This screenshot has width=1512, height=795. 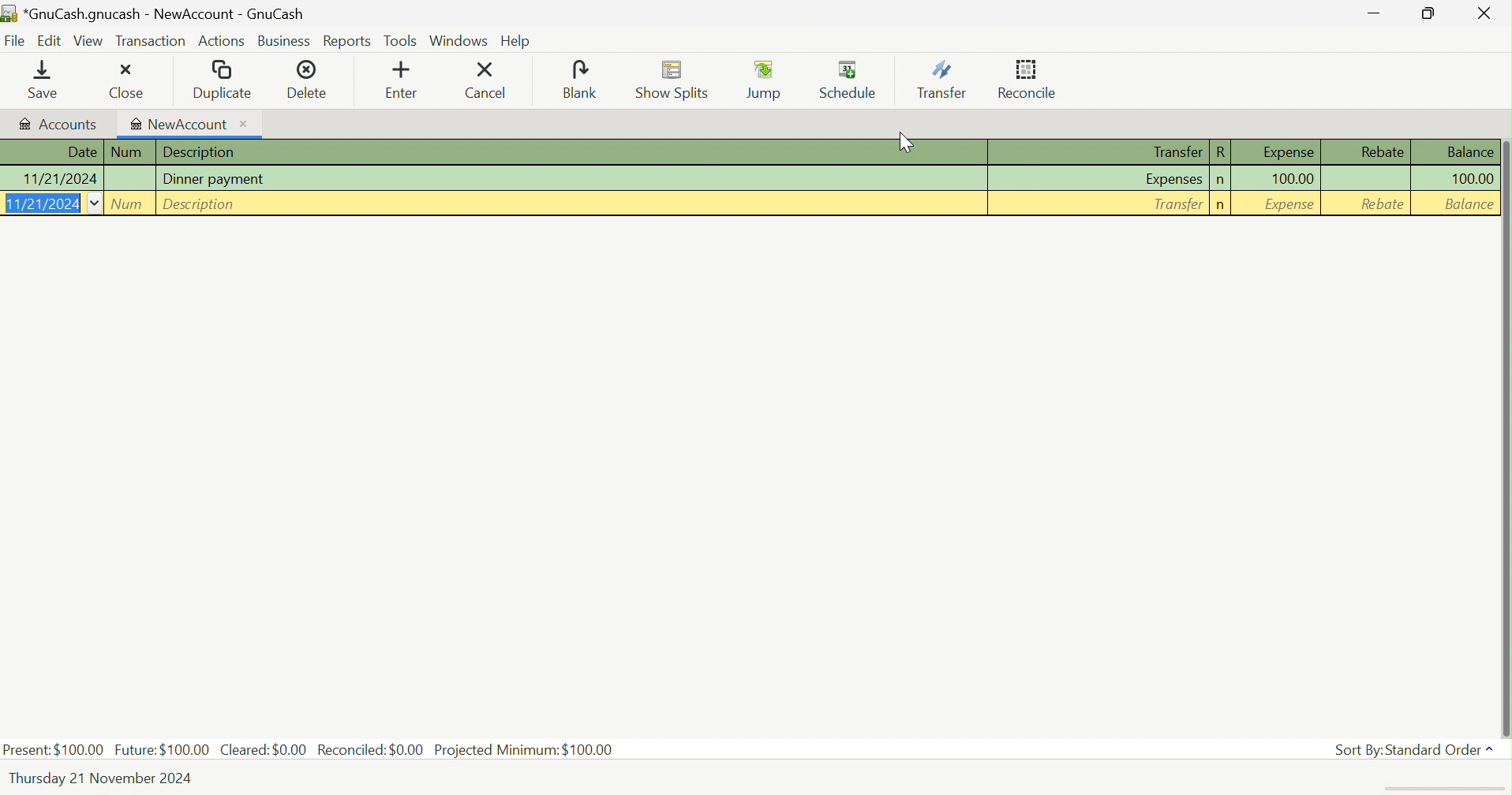 I want to click on 100.00, so click(x=1471, y=177).